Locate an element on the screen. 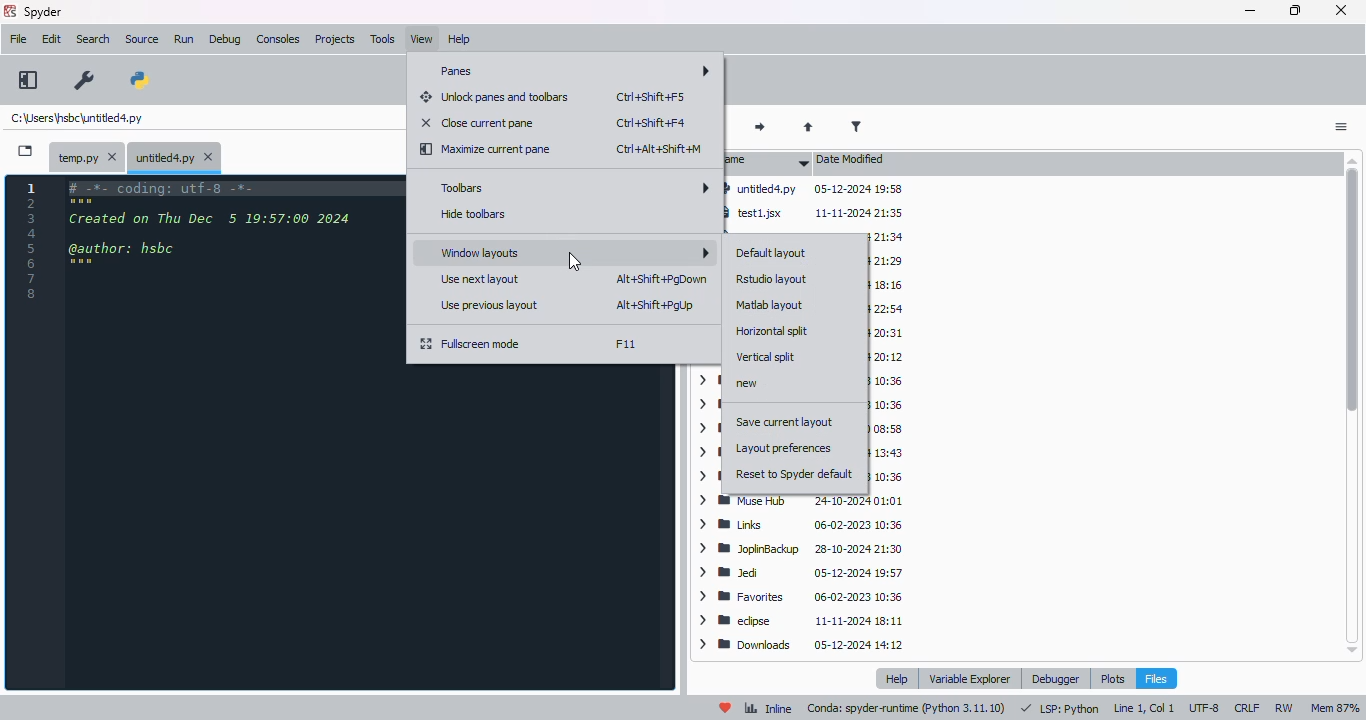 The width and height of the screenshot is (1366, 720). search is located at coordinates (93, 39).